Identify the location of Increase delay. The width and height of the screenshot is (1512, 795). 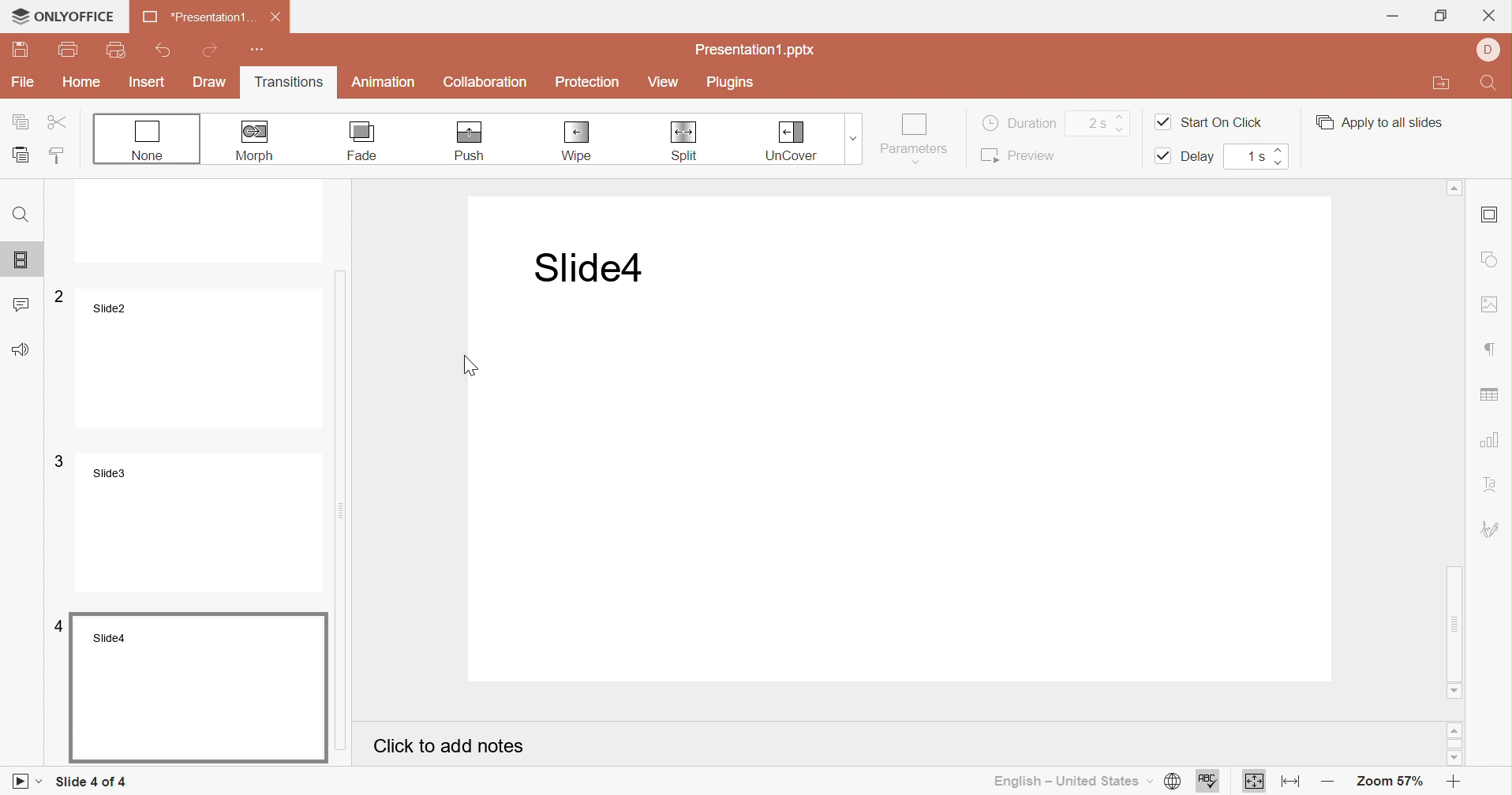
(1279, 149).